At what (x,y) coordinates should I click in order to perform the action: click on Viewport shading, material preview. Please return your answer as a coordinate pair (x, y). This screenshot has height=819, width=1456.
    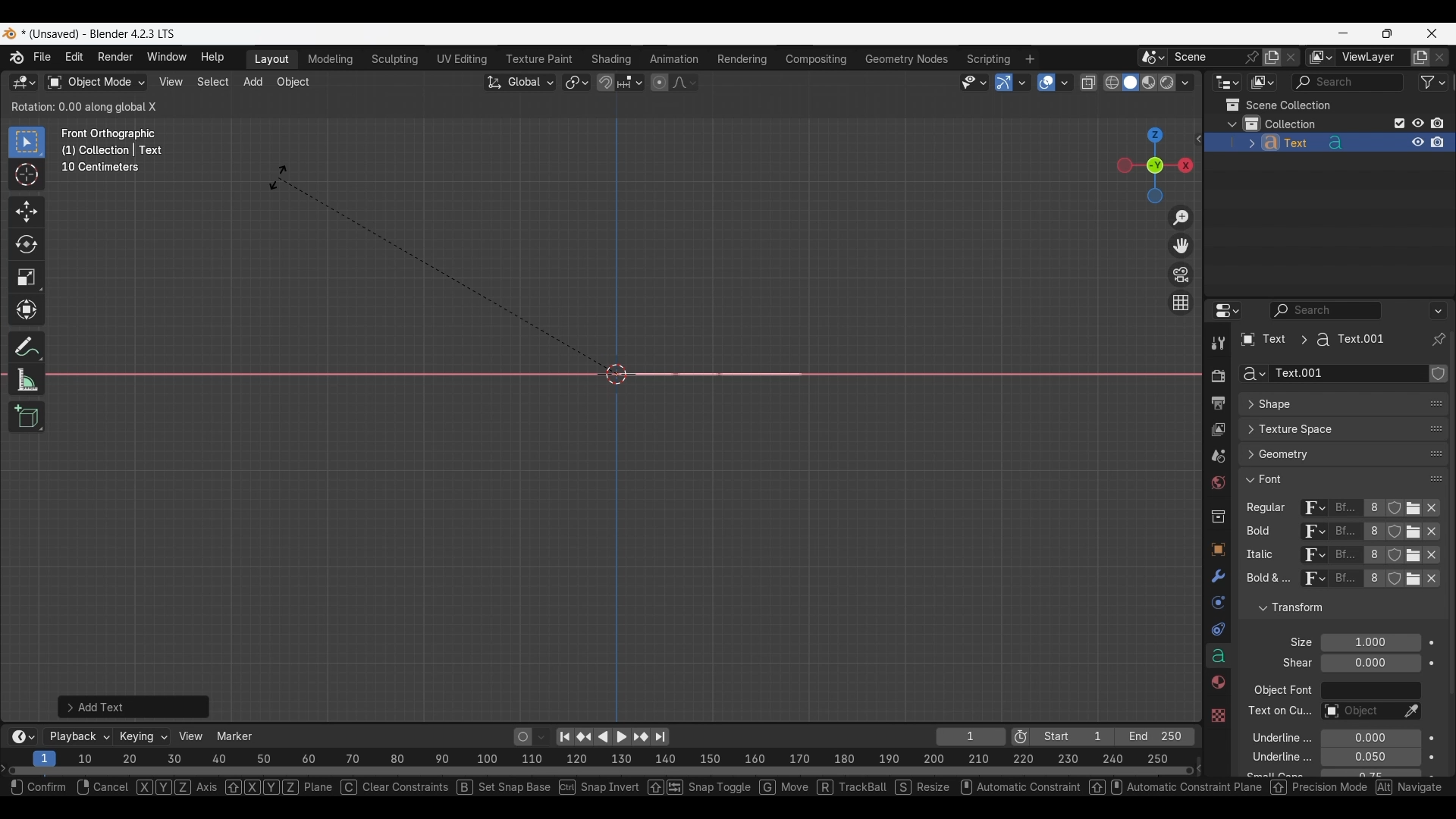
    Looking at the image, I should click on (1148, 82).